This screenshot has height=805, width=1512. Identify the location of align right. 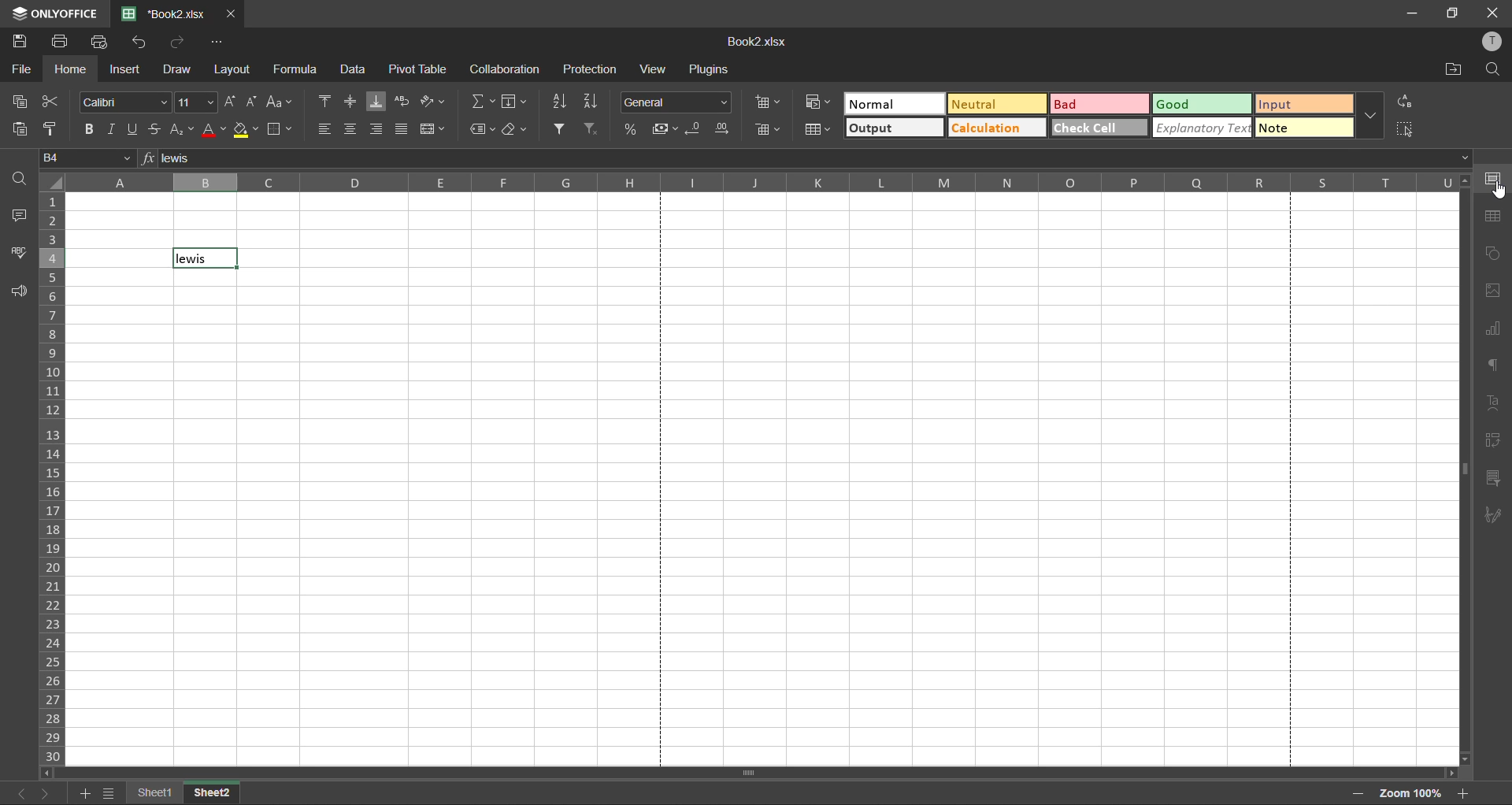
(375, 130).